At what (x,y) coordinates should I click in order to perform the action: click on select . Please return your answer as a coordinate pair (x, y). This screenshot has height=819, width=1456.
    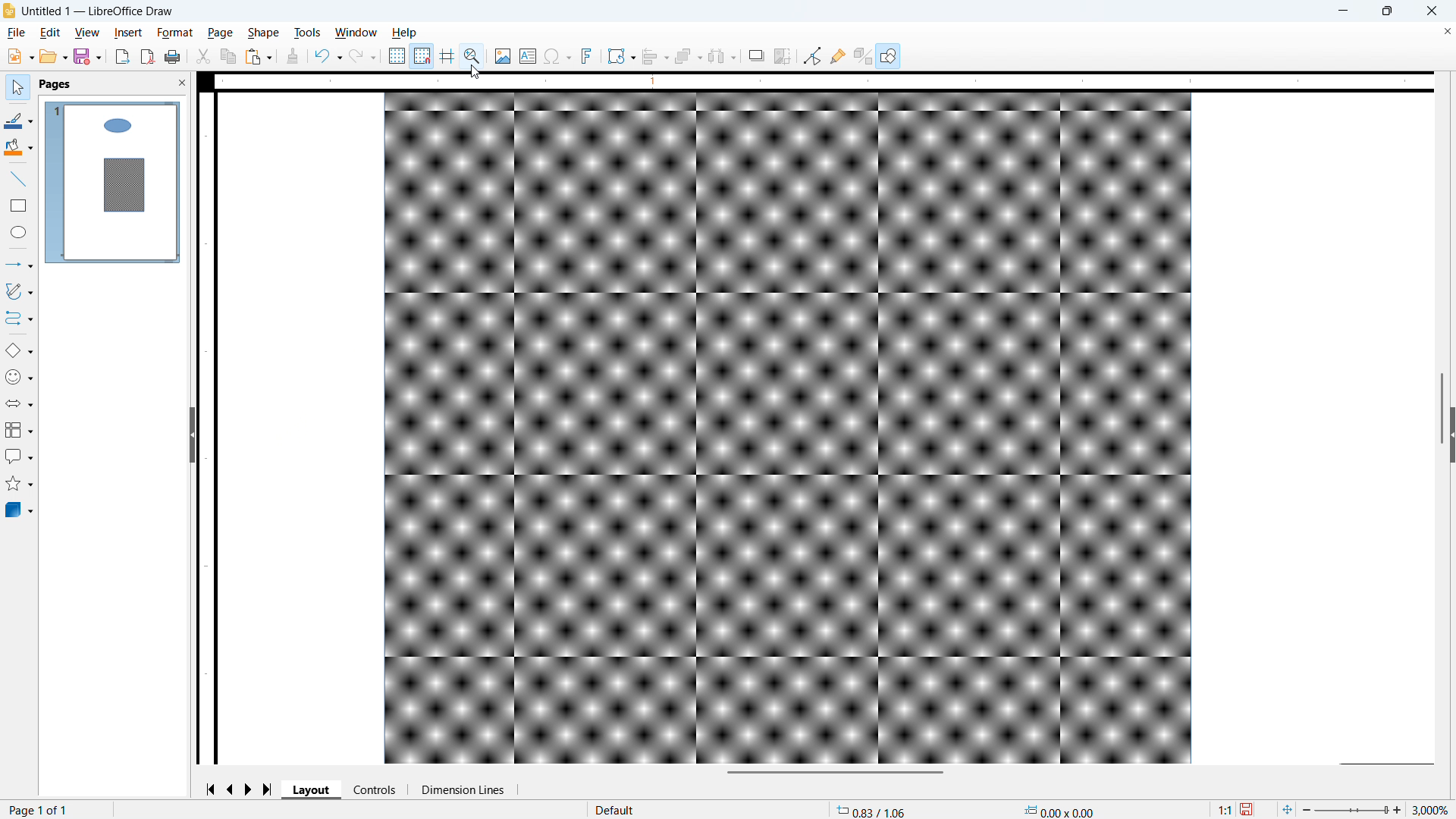
    Looking at the image, I should click on (19, 88).